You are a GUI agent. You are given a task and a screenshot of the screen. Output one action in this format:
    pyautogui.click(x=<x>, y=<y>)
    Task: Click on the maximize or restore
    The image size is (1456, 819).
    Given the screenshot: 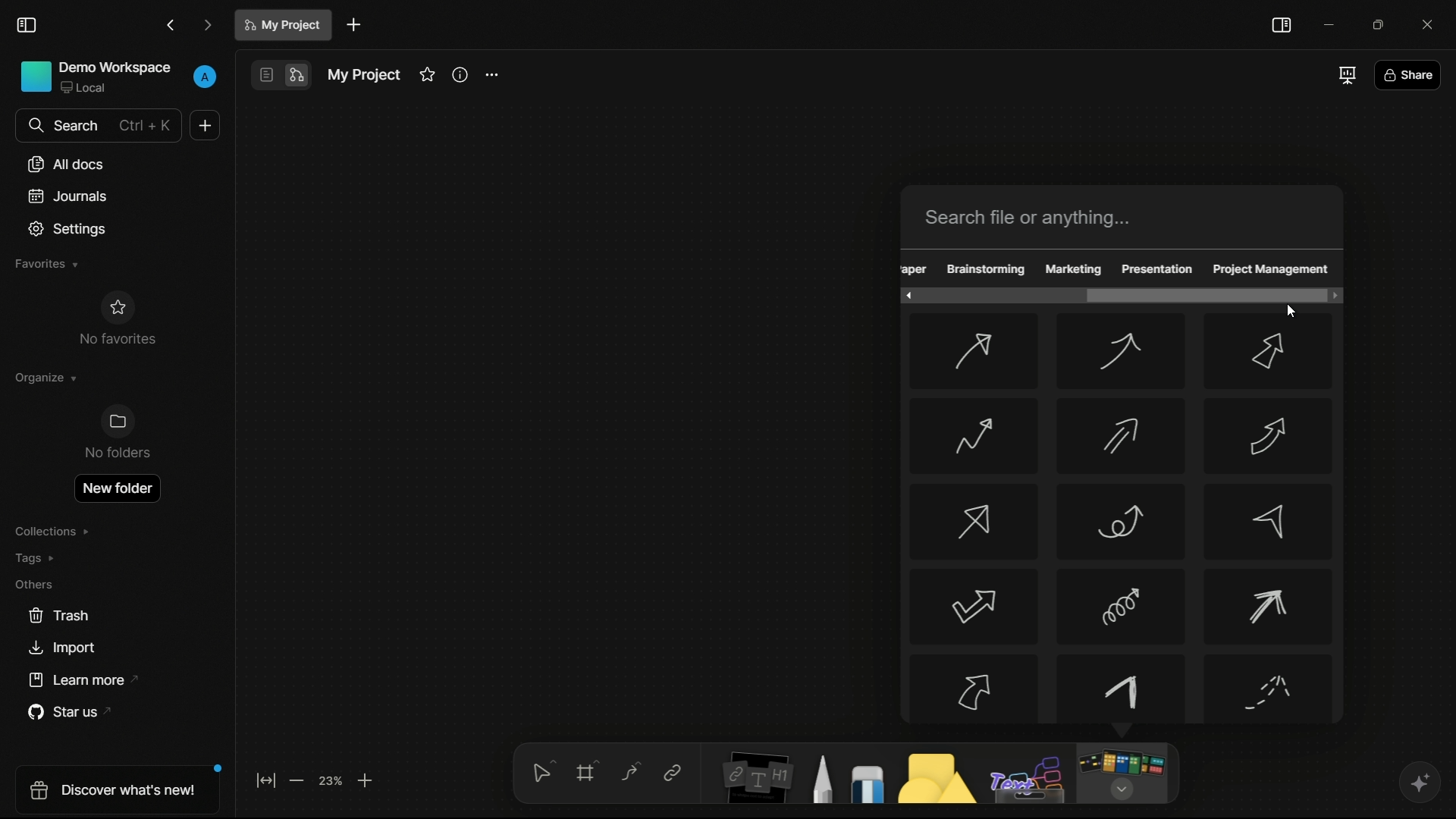 What is the action you would take?
    pyautogui.click(x=1384, y=24)
    